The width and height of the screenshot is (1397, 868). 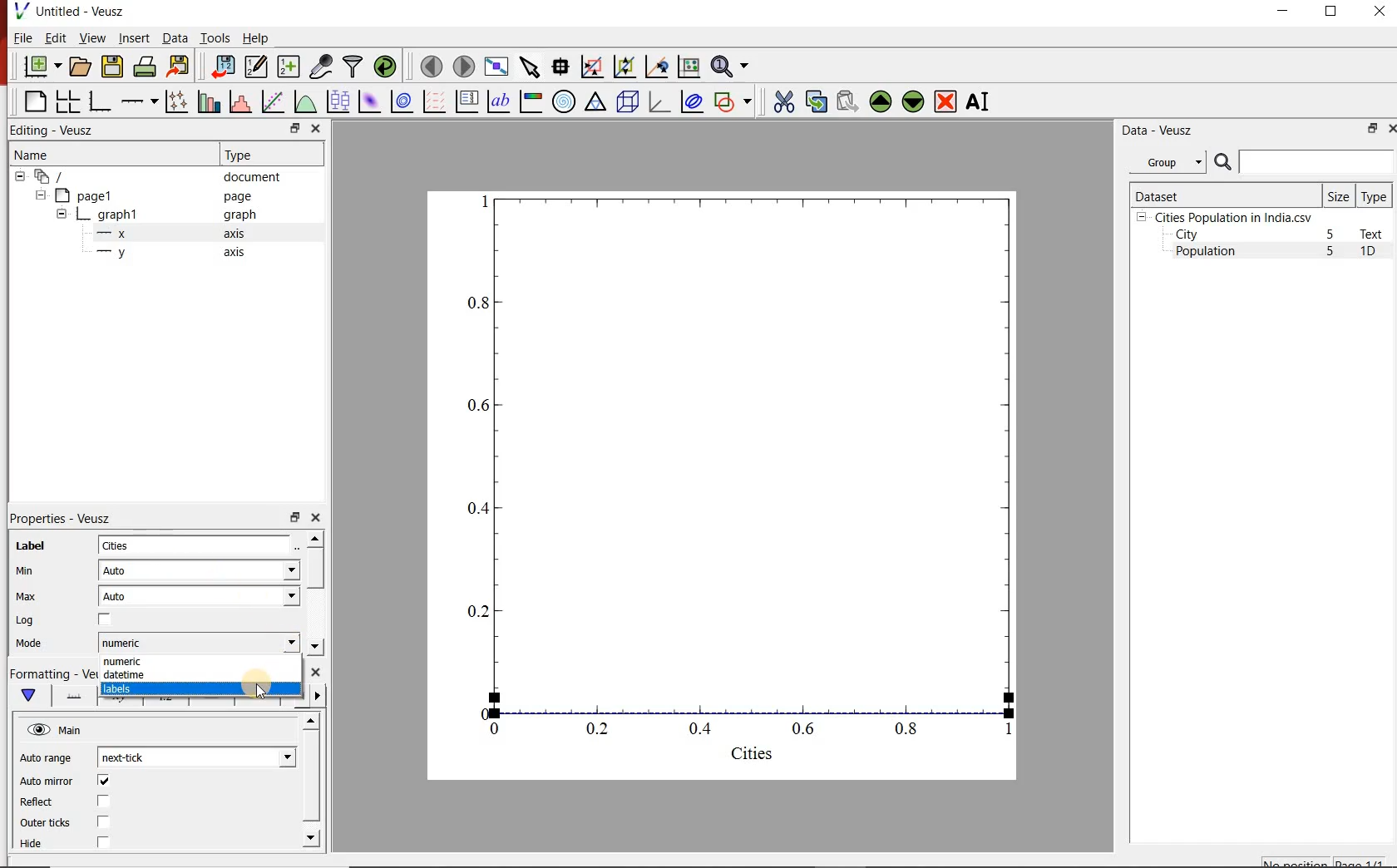 I want to click on edit and enter new datasets, so click(x=254, y=67).